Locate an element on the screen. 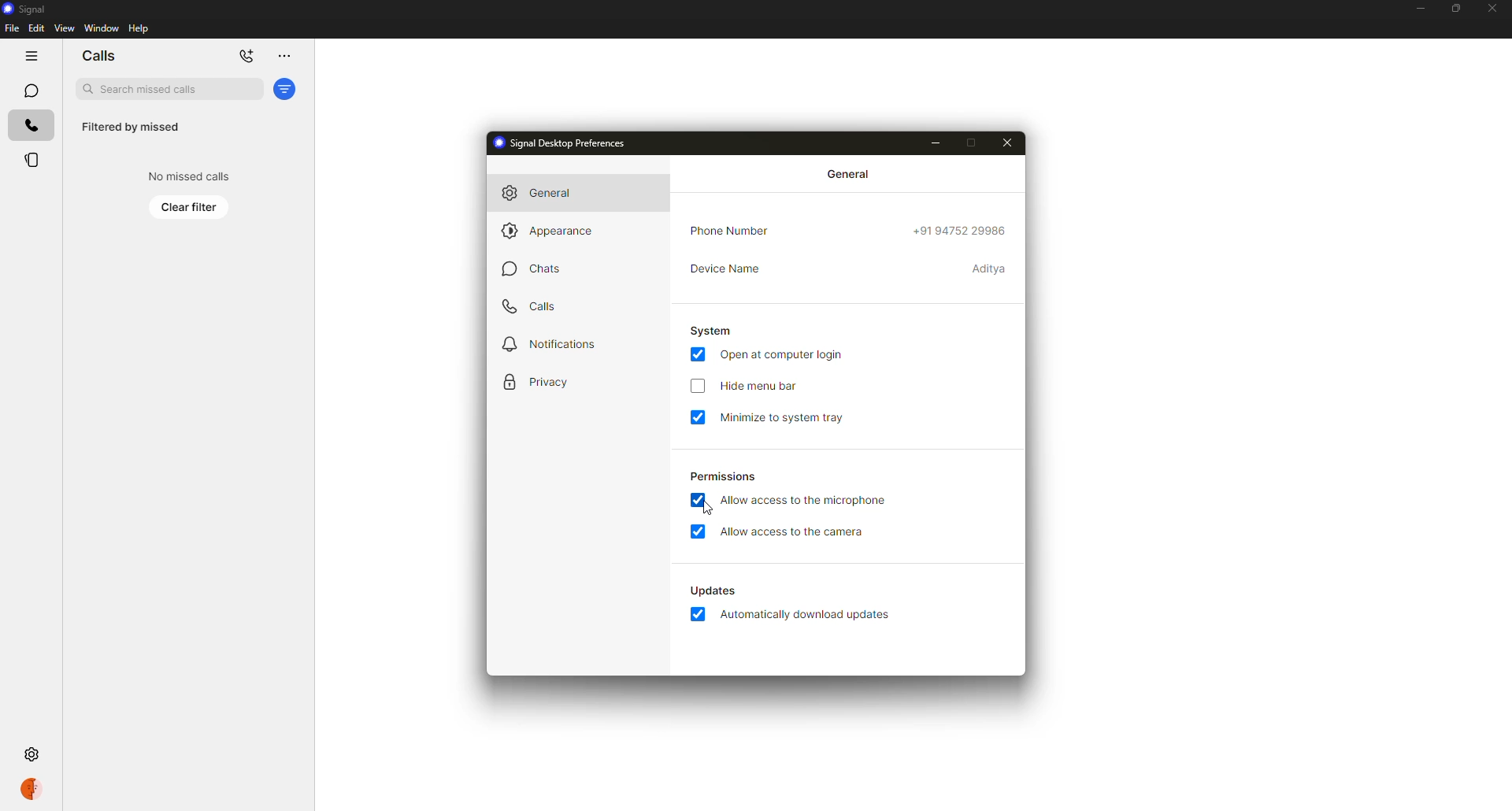 The height and width of the screenshot is (811, 1512). system is located at coordinates (713, 330).